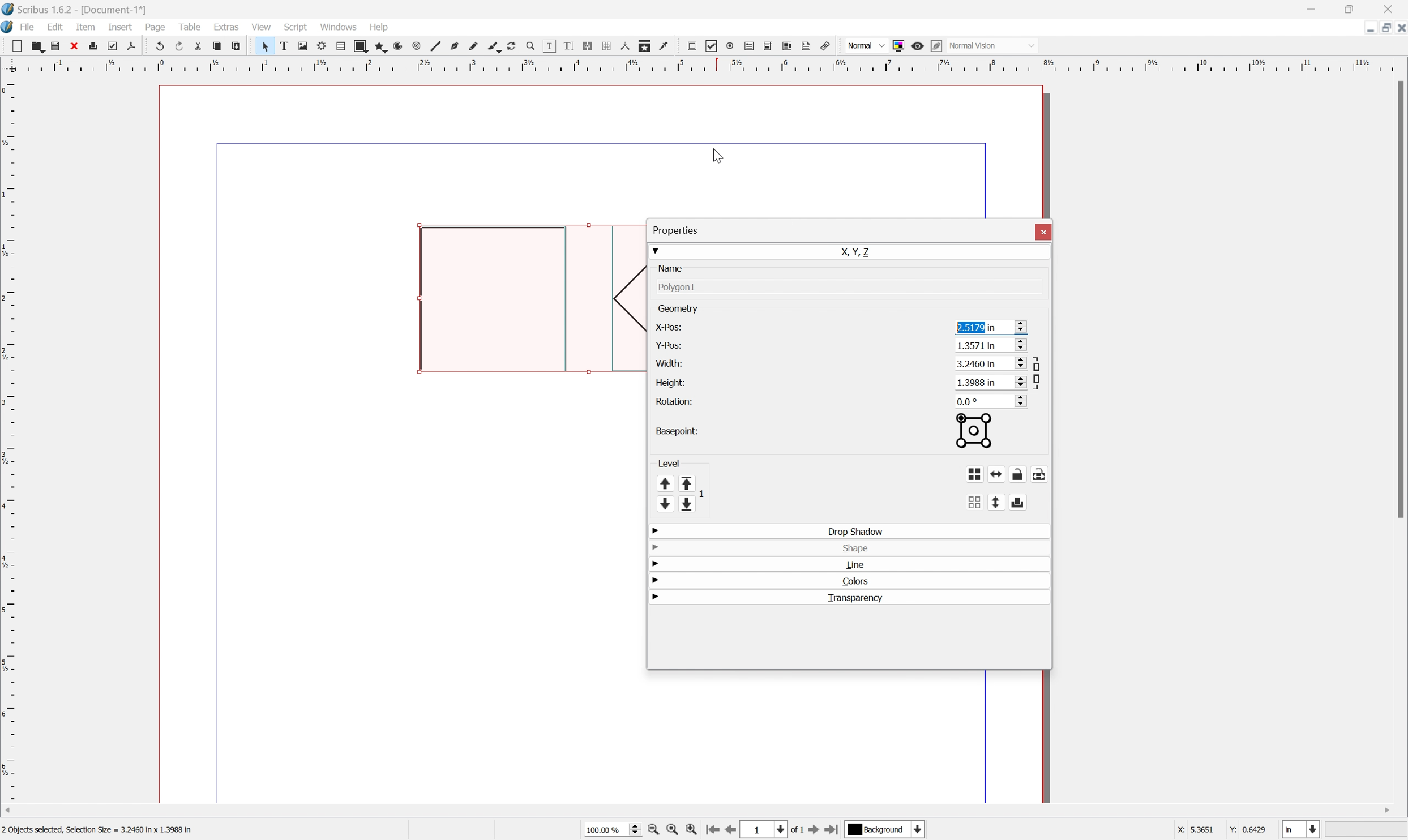 The width and height of the screenshot is (1408, 840). I want to click on item, so click(87, 27).